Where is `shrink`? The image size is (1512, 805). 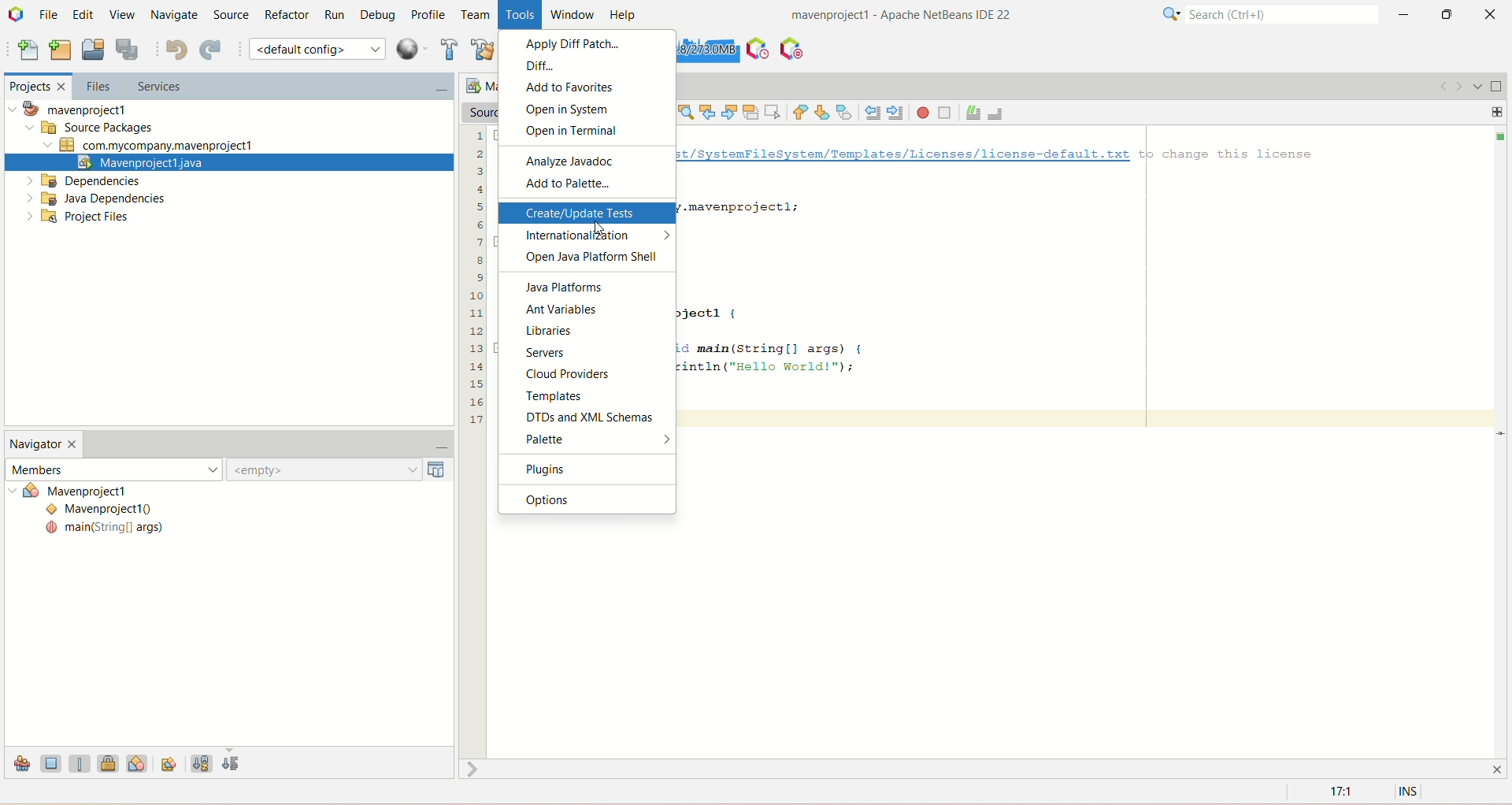
shrink is located at coordinates (475, 769).